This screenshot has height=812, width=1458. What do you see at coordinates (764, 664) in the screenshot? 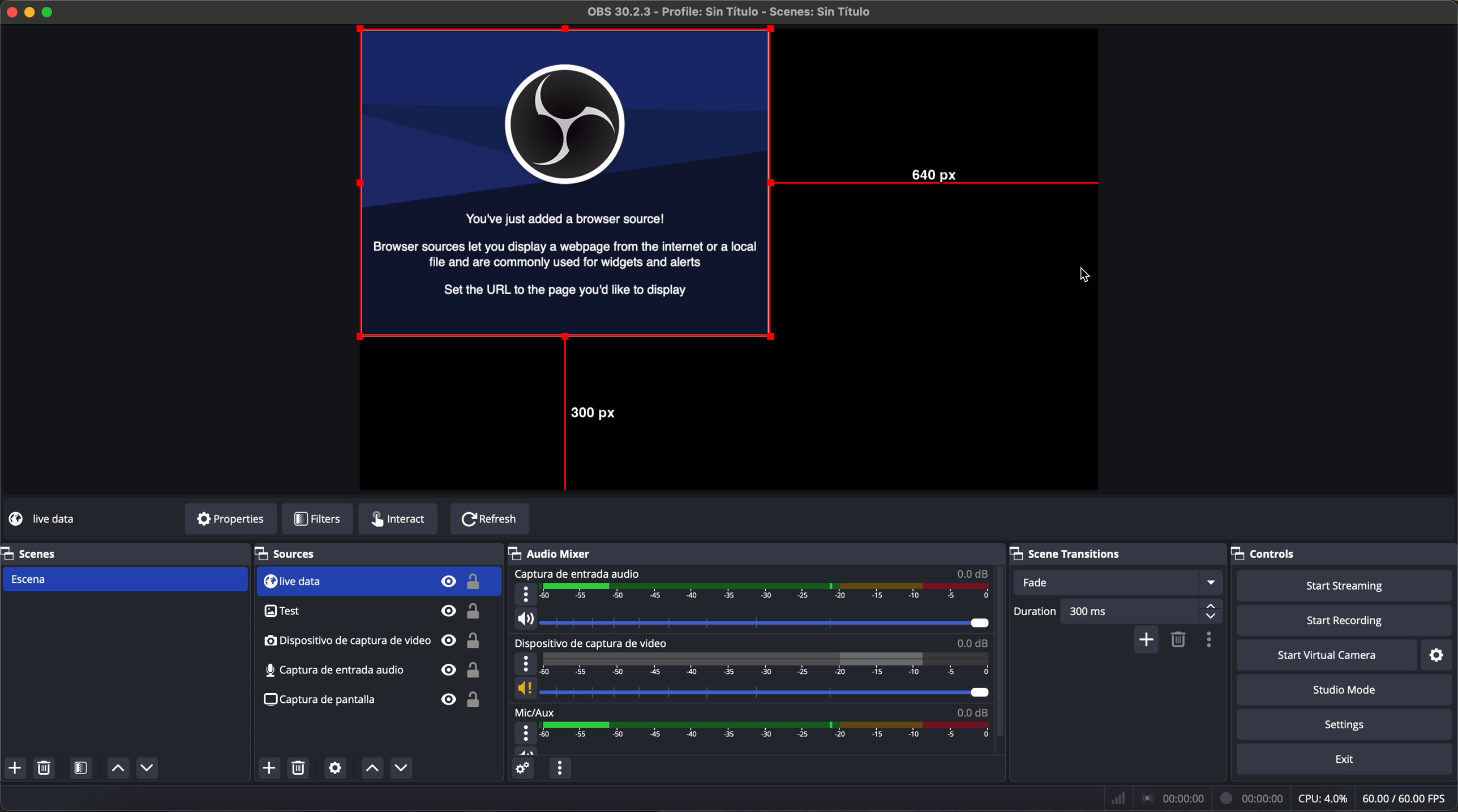
I see `timeline` at bounding box center [764, 664].